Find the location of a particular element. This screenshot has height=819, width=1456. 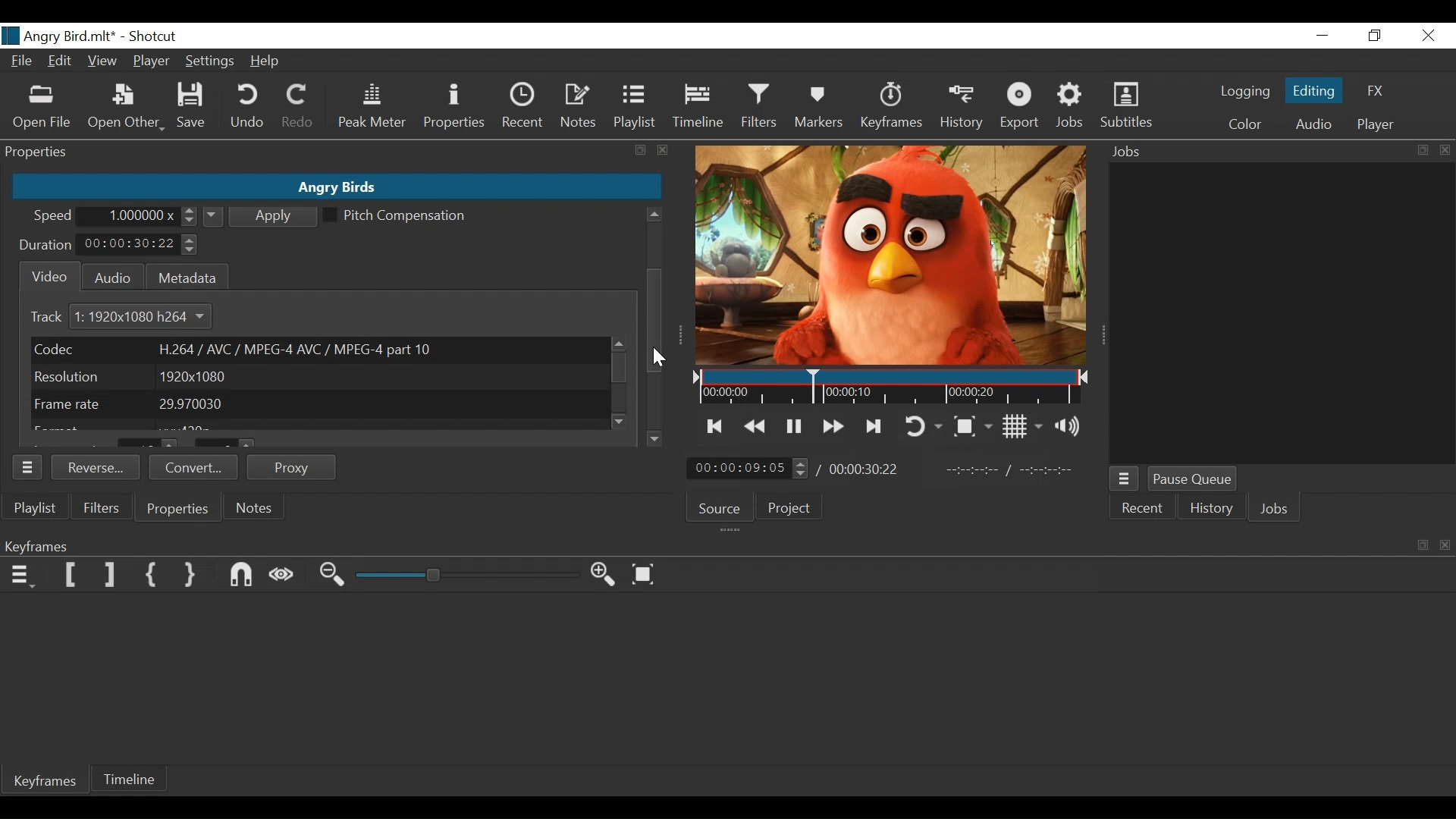

Metadata is located at coordinates (186, 275).